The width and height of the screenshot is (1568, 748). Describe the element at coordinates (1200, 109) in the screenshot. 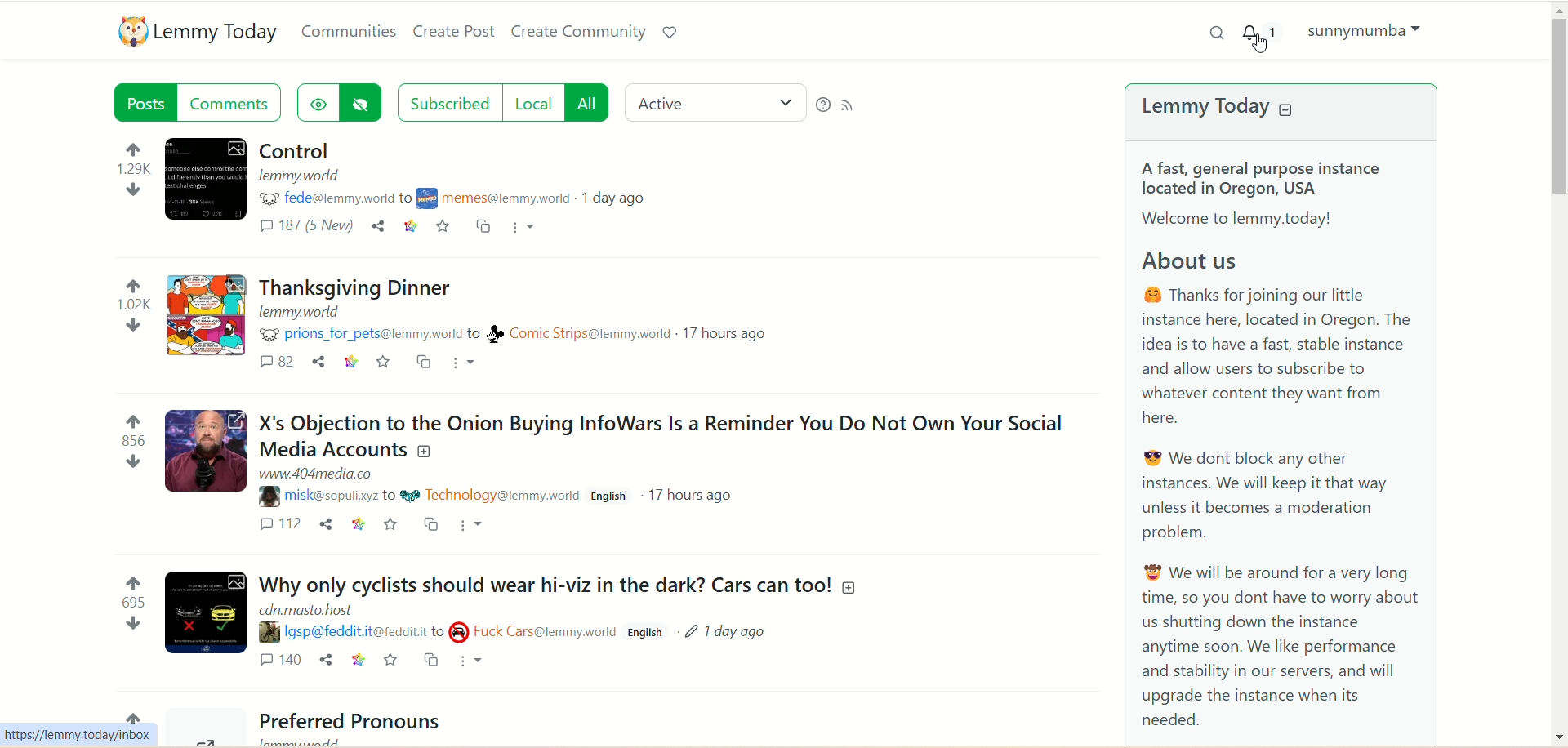

I see `lemmy today` at that location.